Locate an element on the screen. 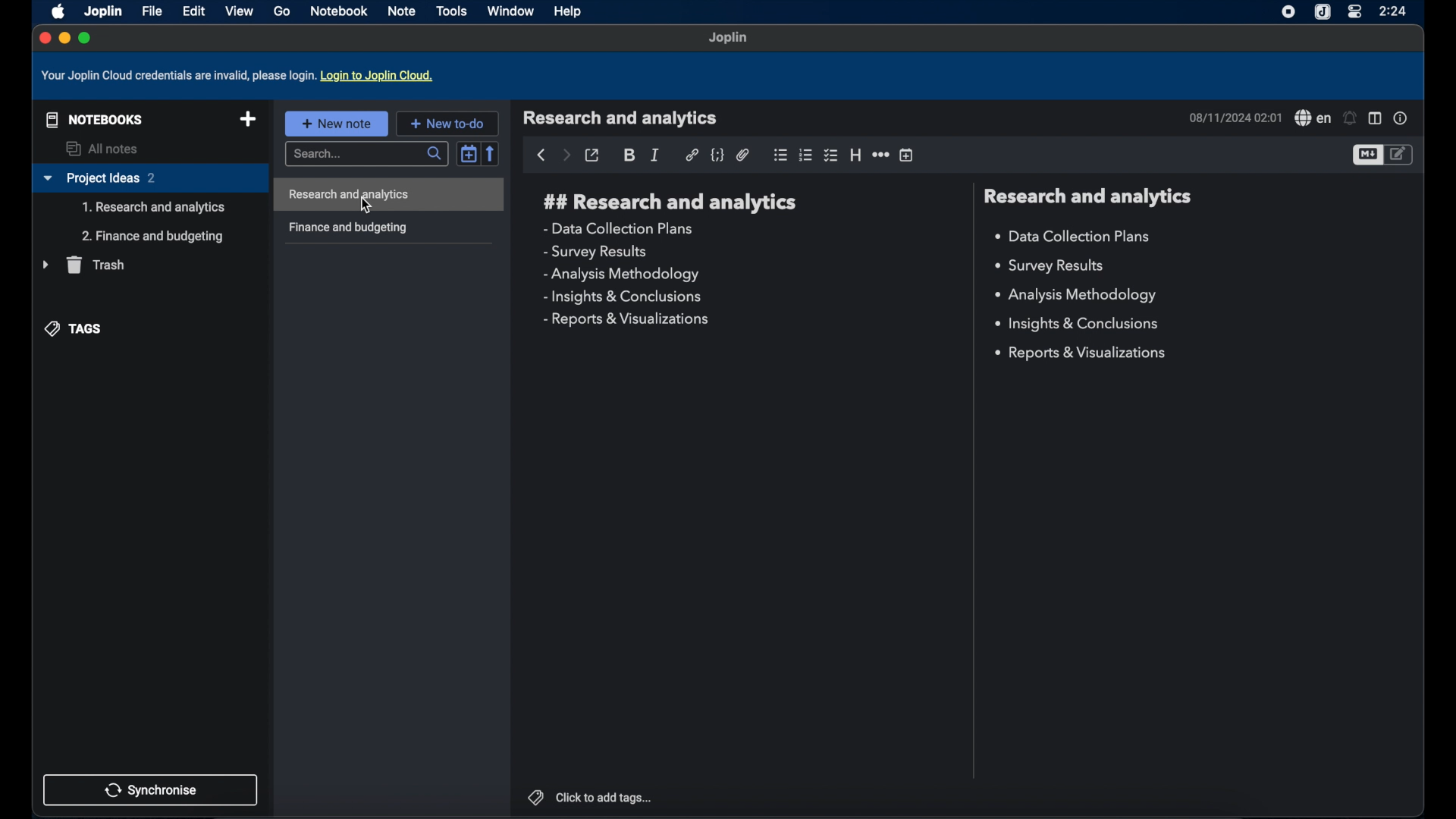 This screenshot has height=819, width=1456. data collection plans is located at coordinates (1075, 237).